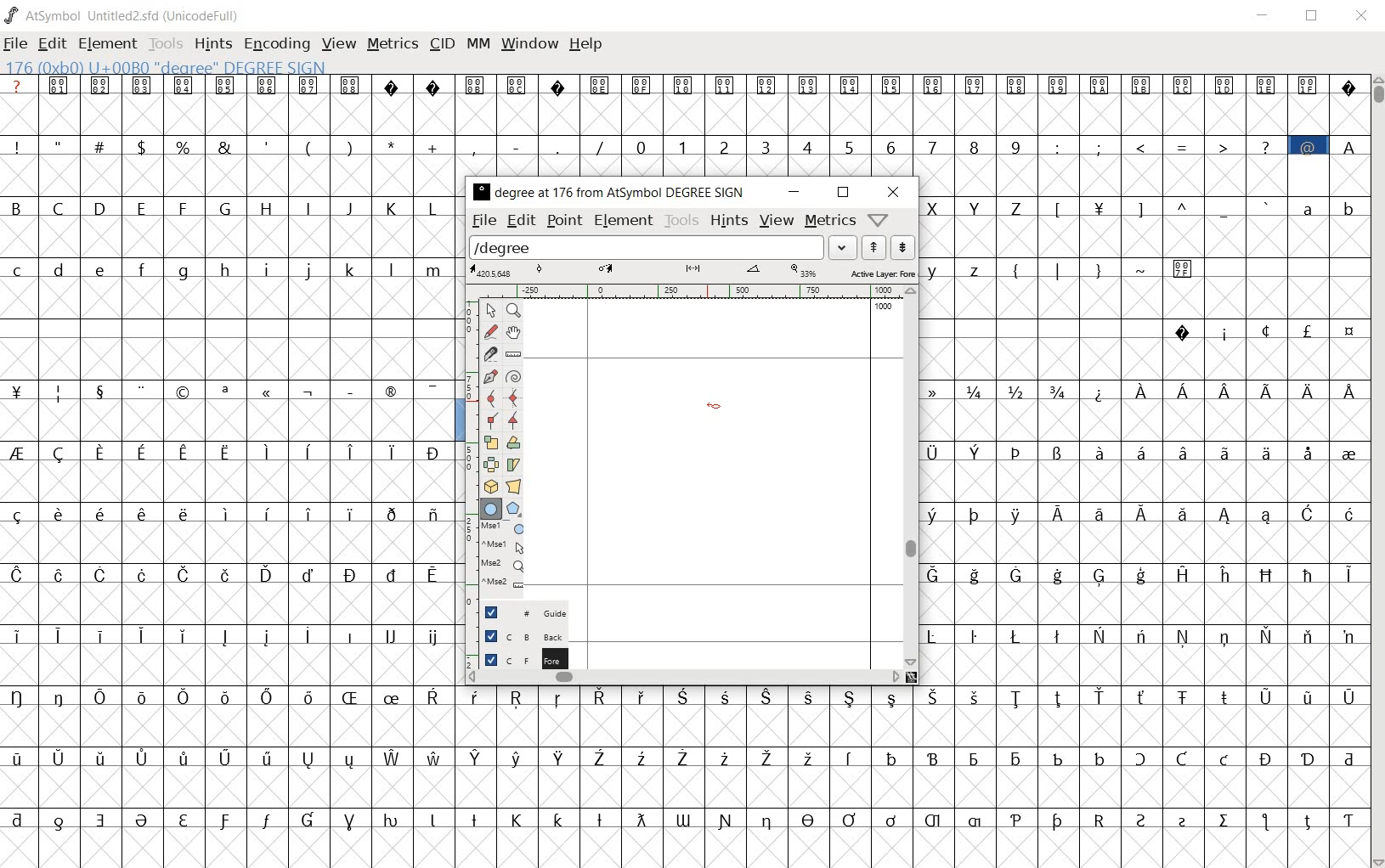 This screenshot has width=1385, height=868. Describe the element at coordinates (911, 727) in the screenshot. I see `empty glyph slots` at that location.